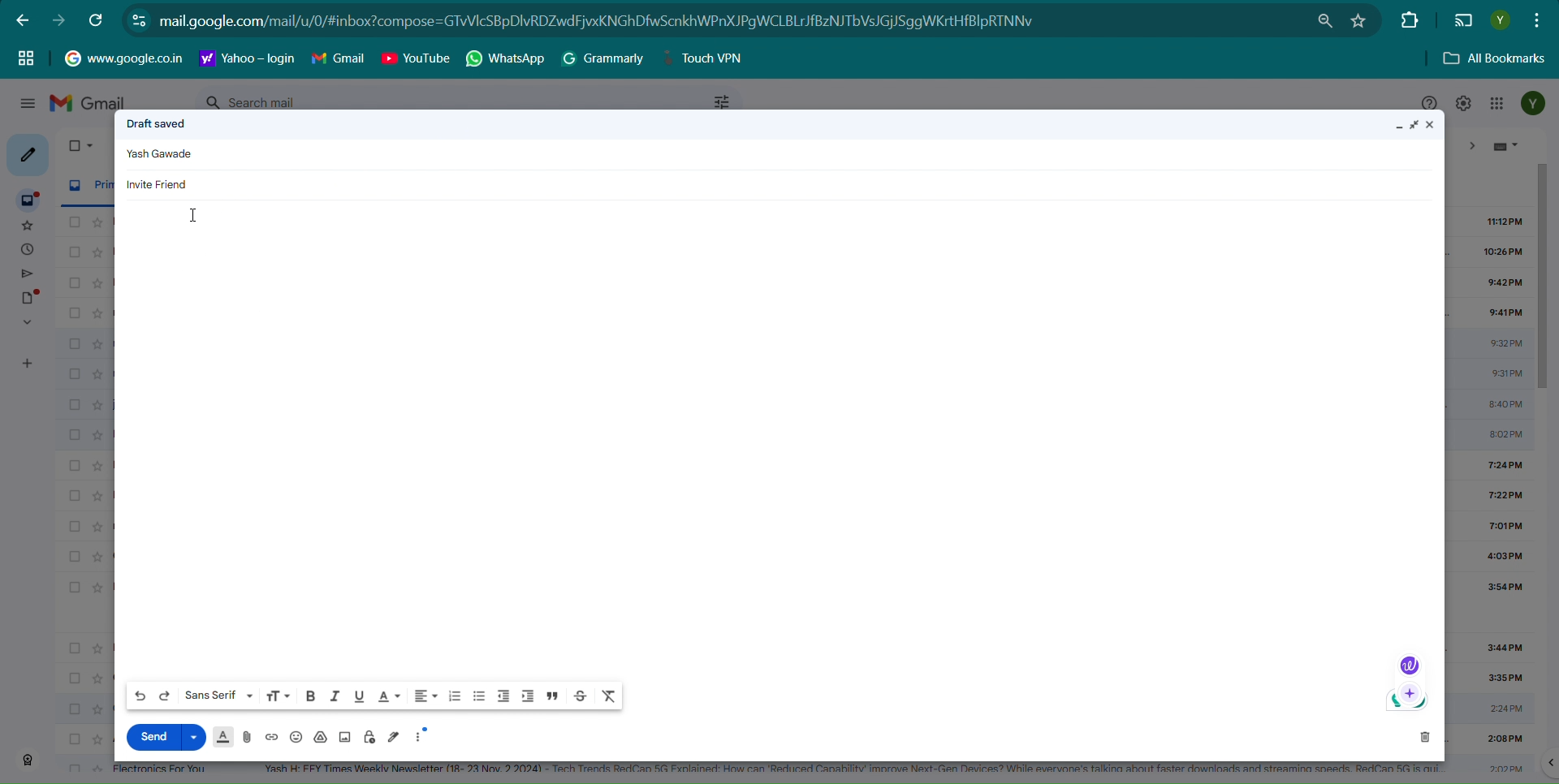 This screenshot has height=784, width=1559. What do you see at coordinates (395, 736) in the screenshot?
I see `Insert Signature` at bounding box center [395, 736].